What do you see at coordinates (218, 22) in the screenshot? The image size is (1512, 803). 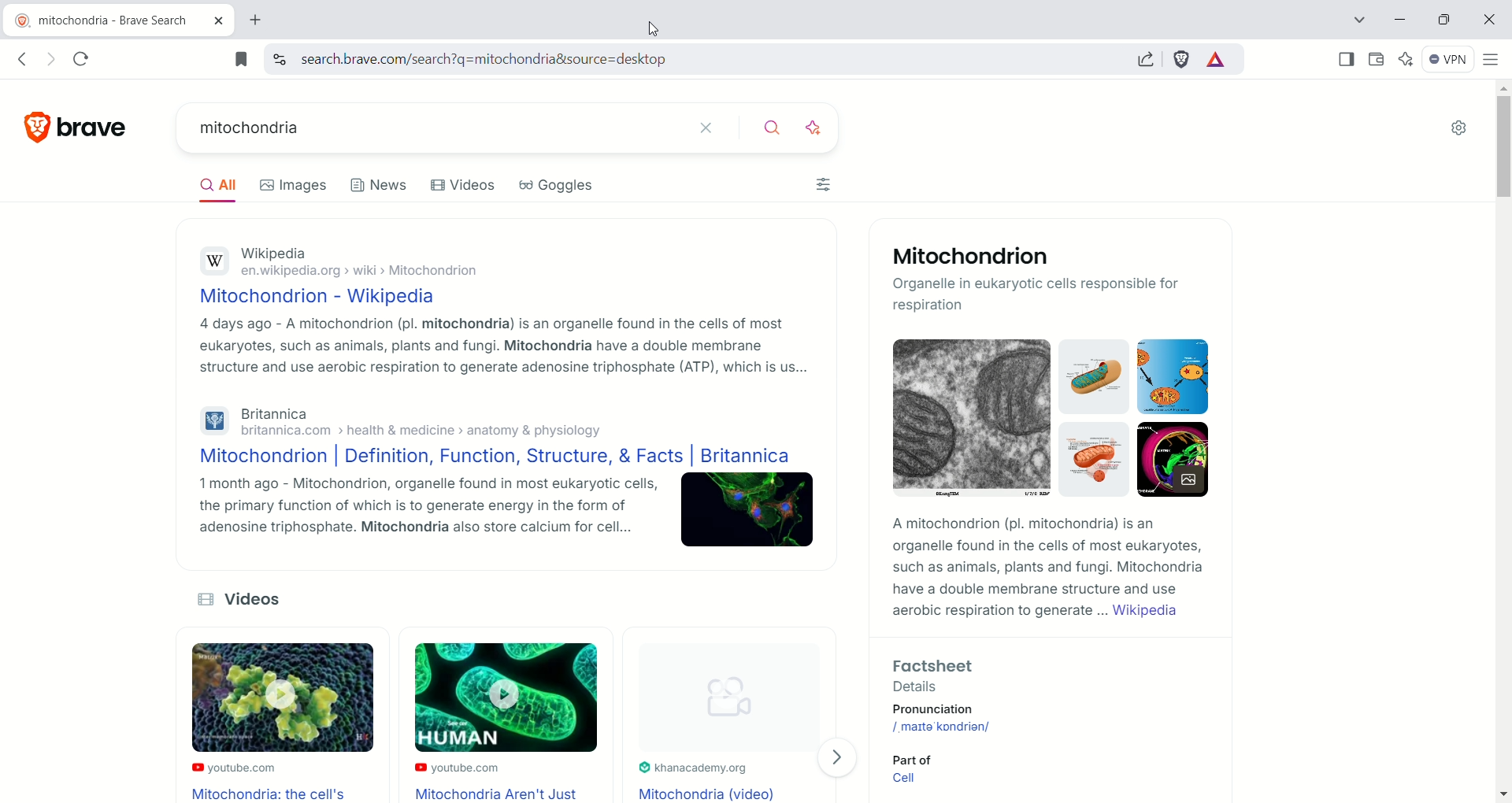 I see `close tab` at bounding box center [218, 22].